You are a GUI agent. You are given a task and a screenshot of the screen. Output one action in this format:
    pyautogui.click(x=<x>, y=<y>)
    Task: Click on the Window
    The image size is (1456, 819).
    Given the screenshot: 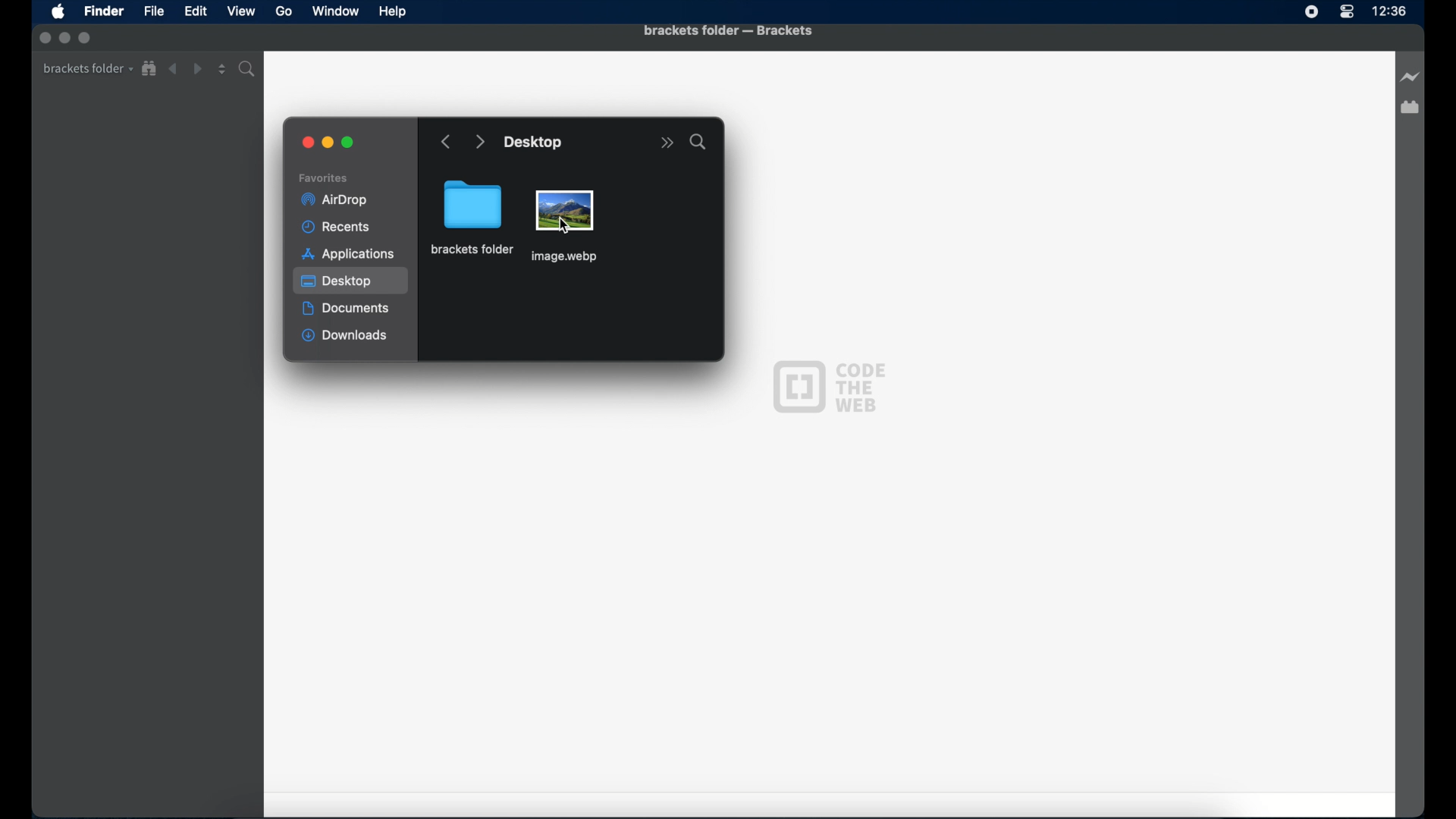 What is the action you would take?
    pyautogui.click(x=336, y=11)
    